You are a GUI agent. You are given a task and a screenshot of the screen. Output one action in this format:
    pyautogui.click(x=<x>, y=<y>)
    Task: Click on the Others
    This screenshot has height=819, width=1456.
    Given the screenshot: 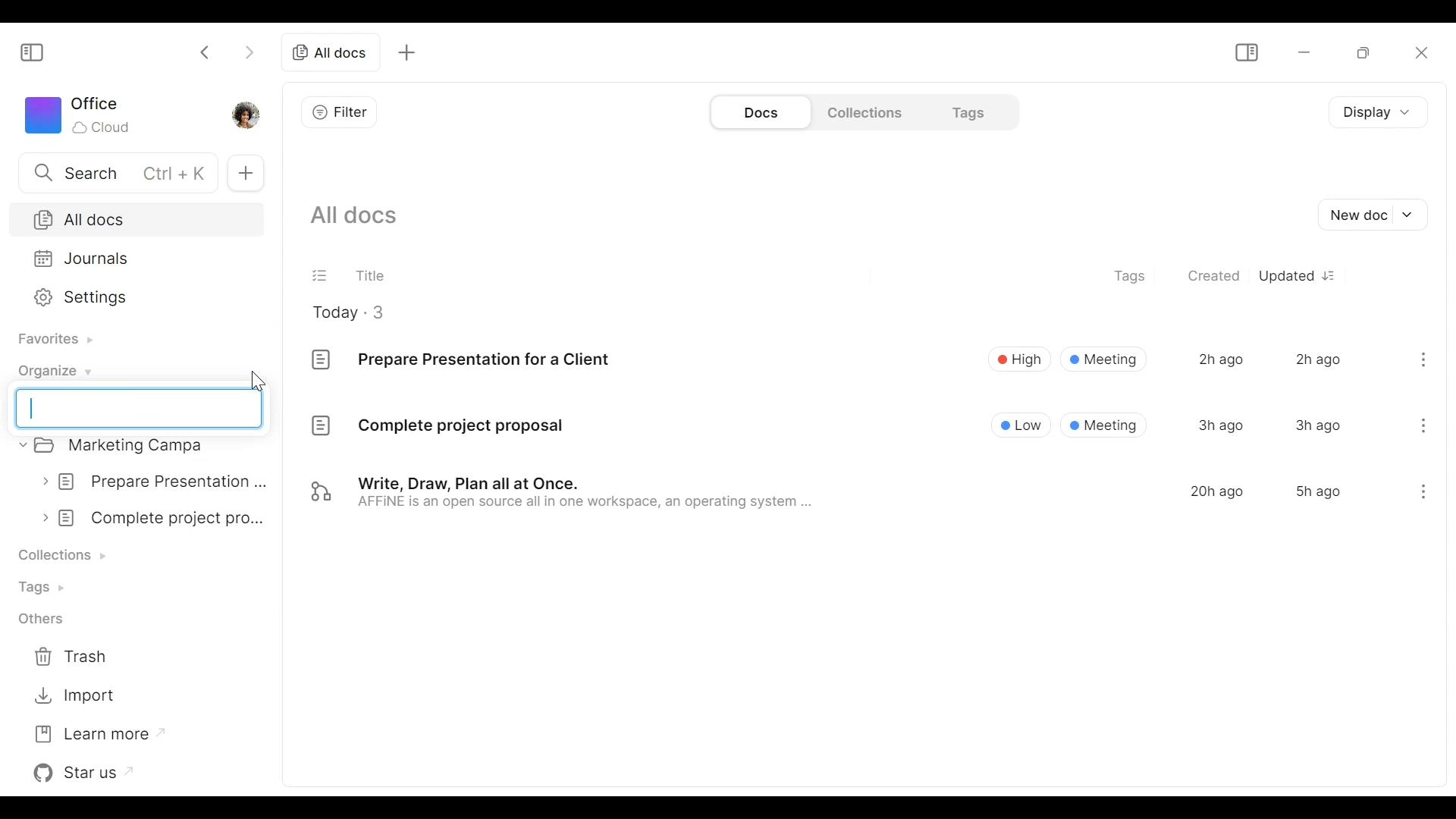 What is the action you would take?
    pyautogui.click(x=46, y=619)
    